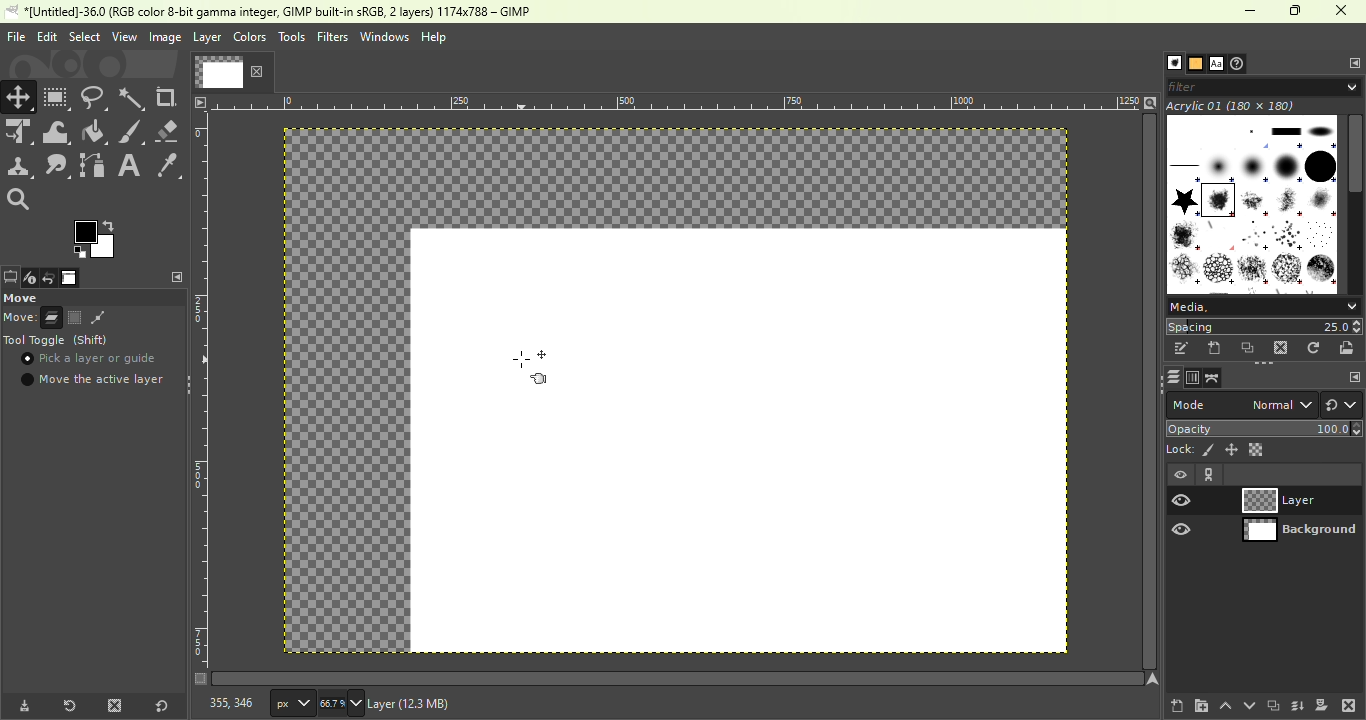 This screenshot has height=720, width=1366. I want to click on Image, so click(70, 278).